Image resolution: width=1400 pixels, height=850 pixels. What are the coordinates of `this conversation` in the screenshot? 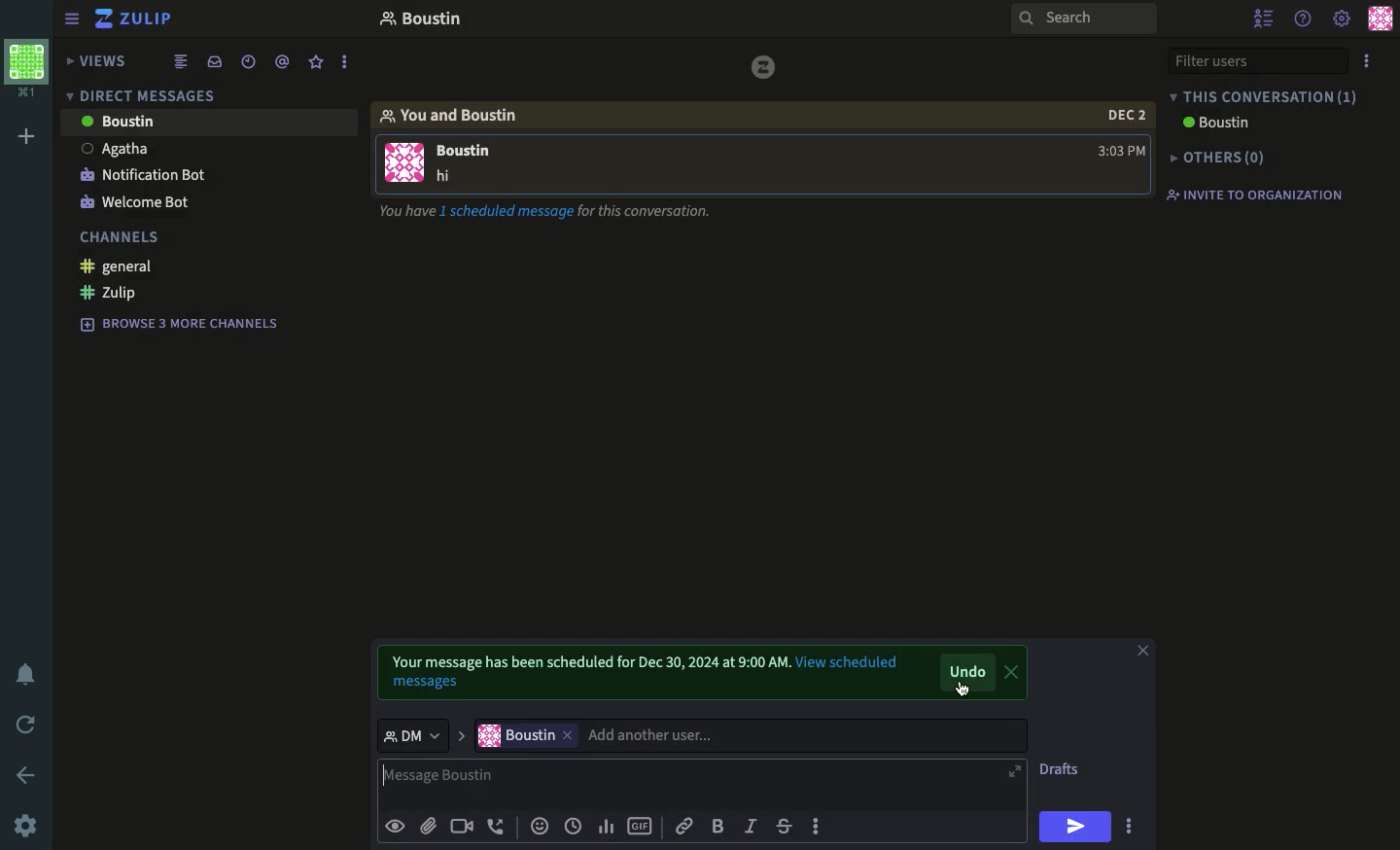 It's located at (1267, 96).